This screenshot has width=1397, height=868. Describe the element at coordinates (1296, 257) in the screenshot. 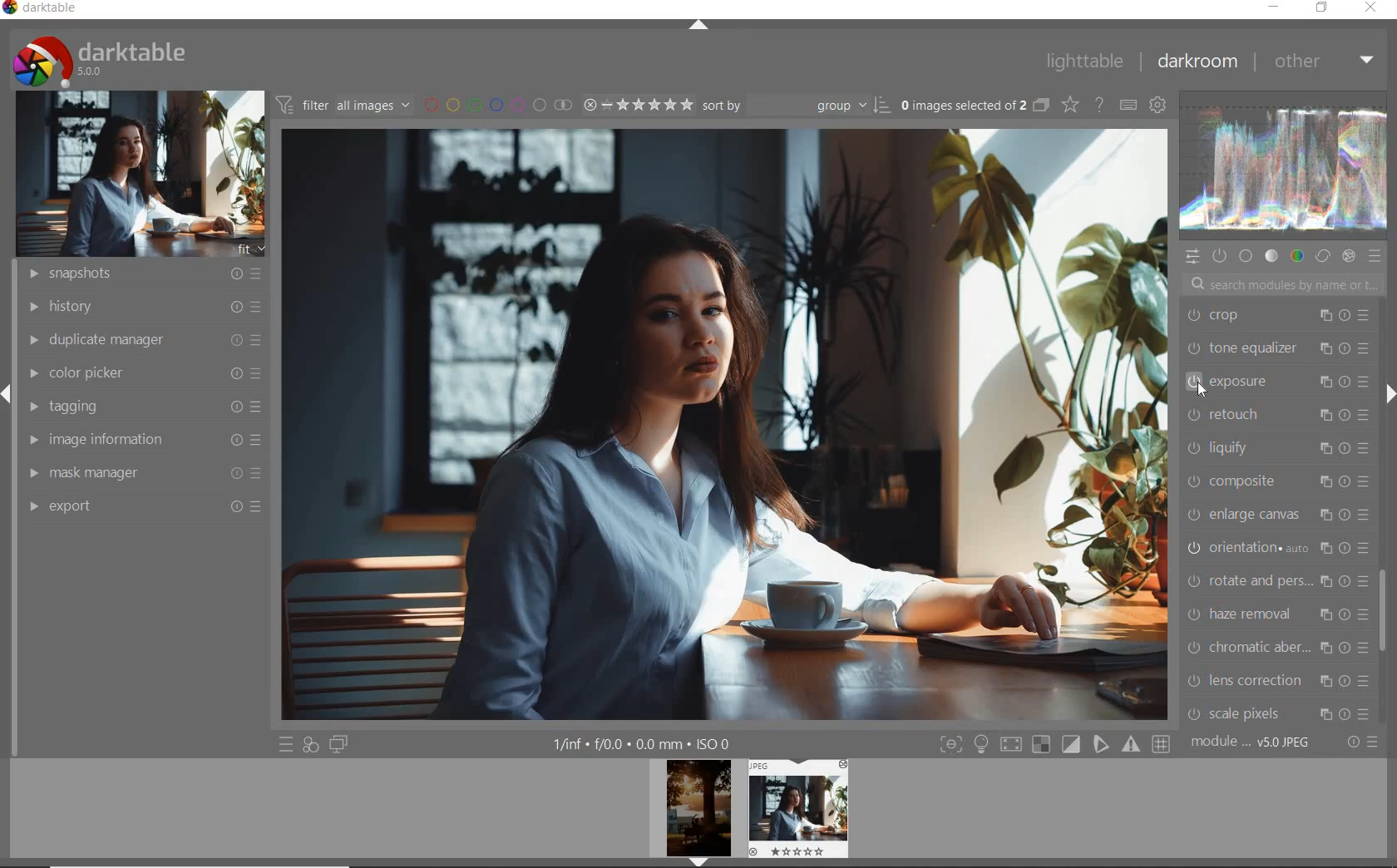

I see `COLOR` at that location.